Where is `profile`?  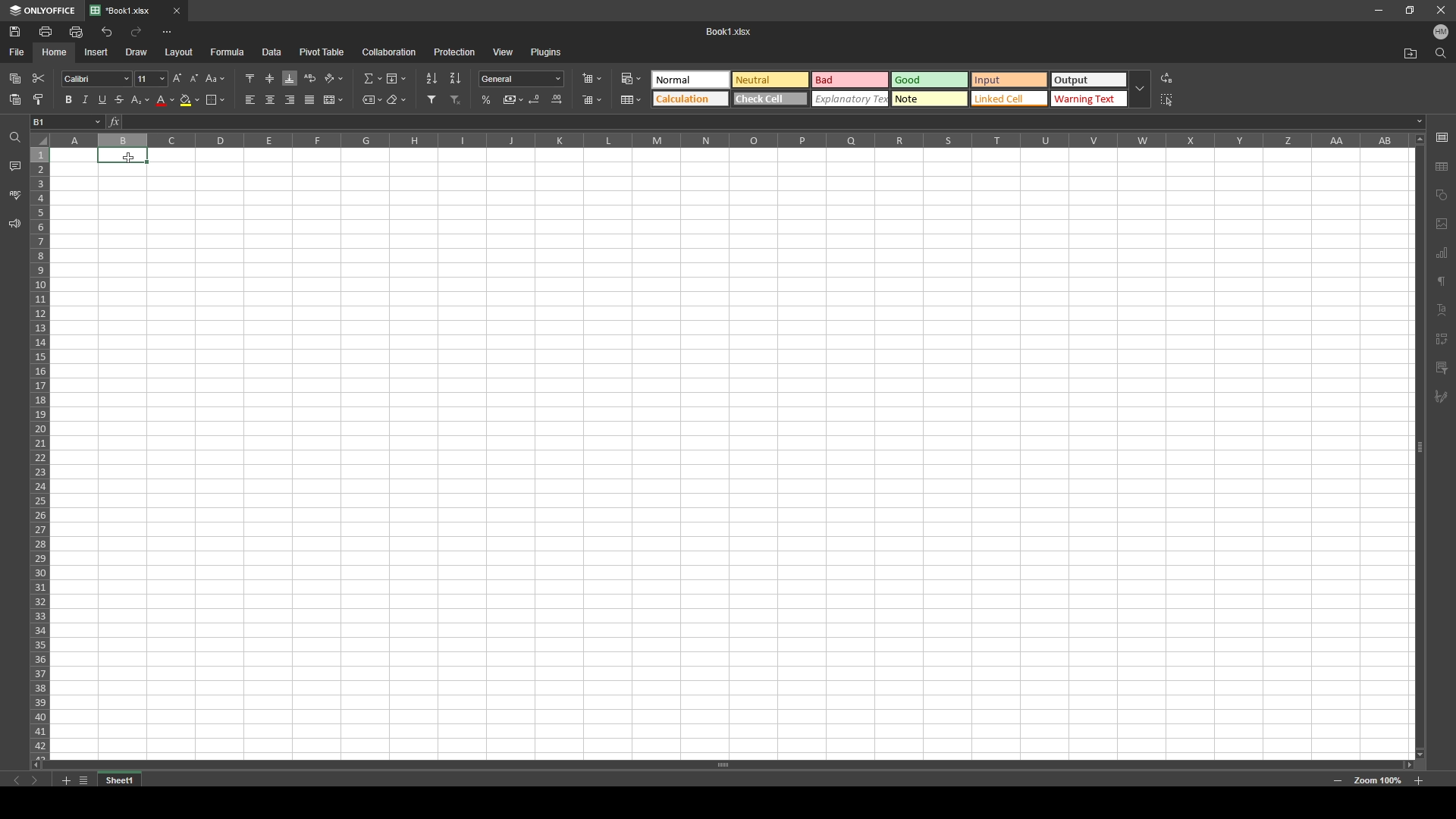 profile is located at coordinates (1441, 31).